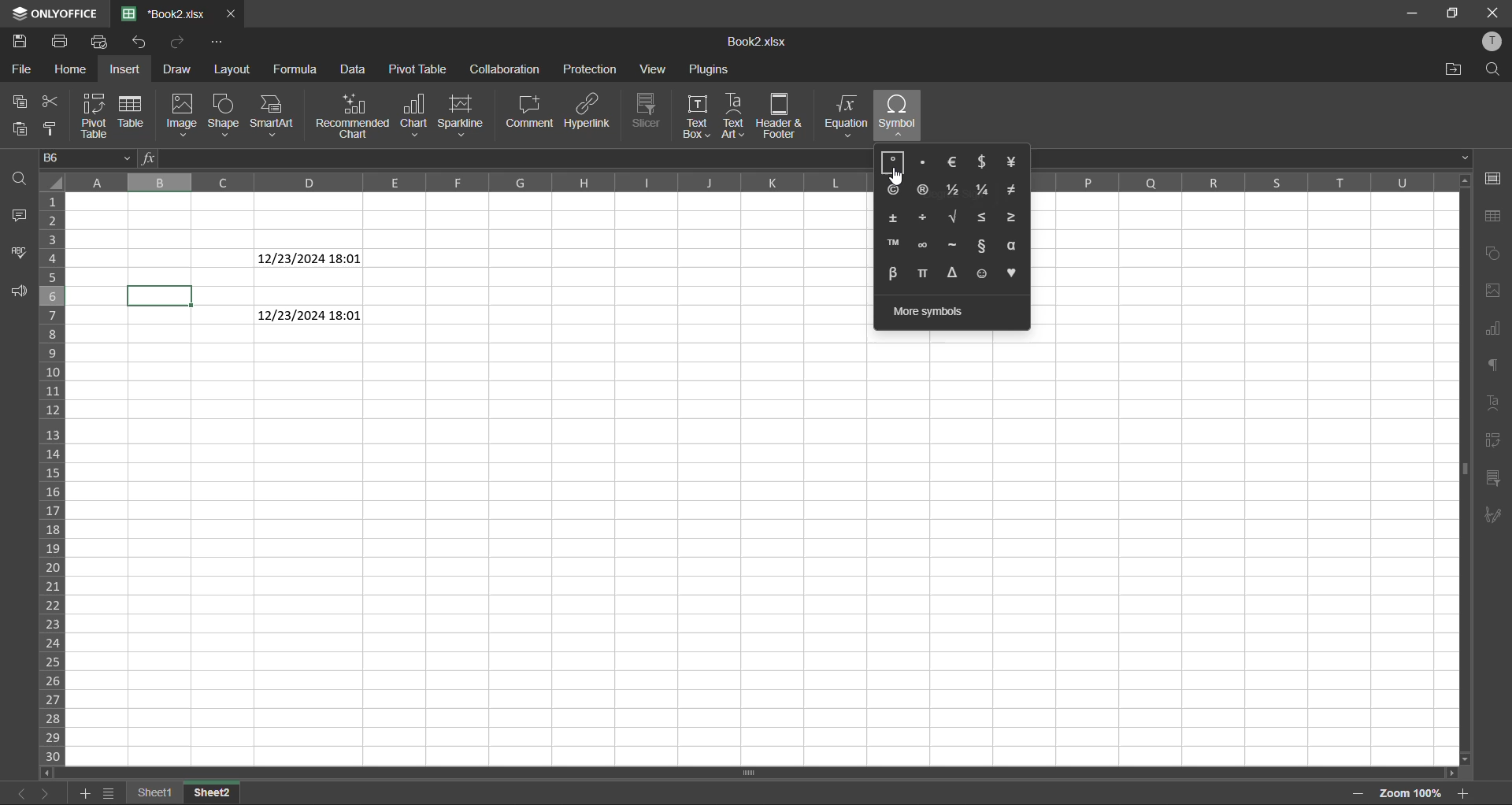  Describe the element at coordinates (224, 116) in the screenshot. I see `shape` at that location.